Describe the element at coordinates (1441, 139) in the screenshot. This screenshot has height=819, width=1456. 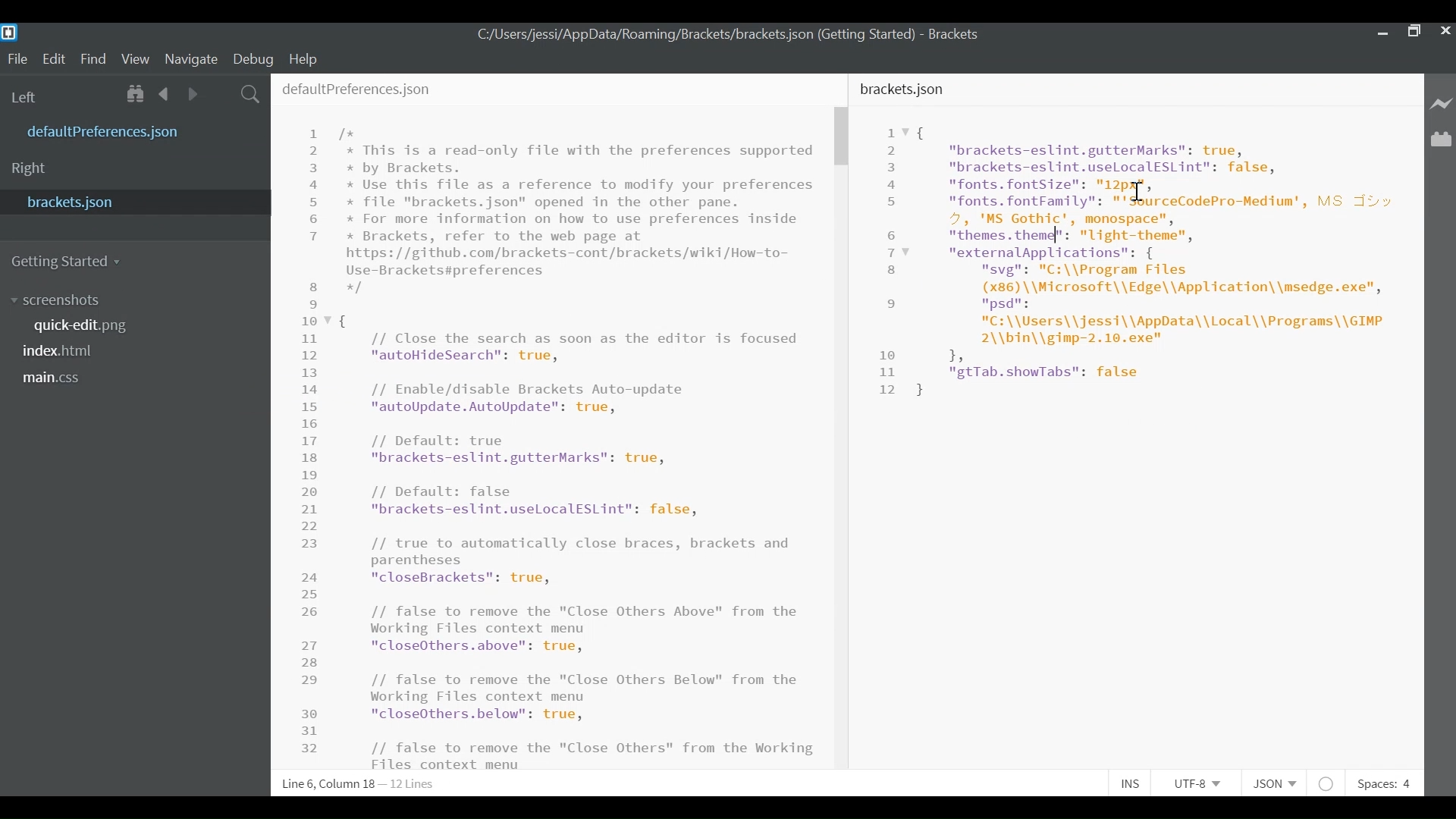
I see `Manage Extensions` at that location.